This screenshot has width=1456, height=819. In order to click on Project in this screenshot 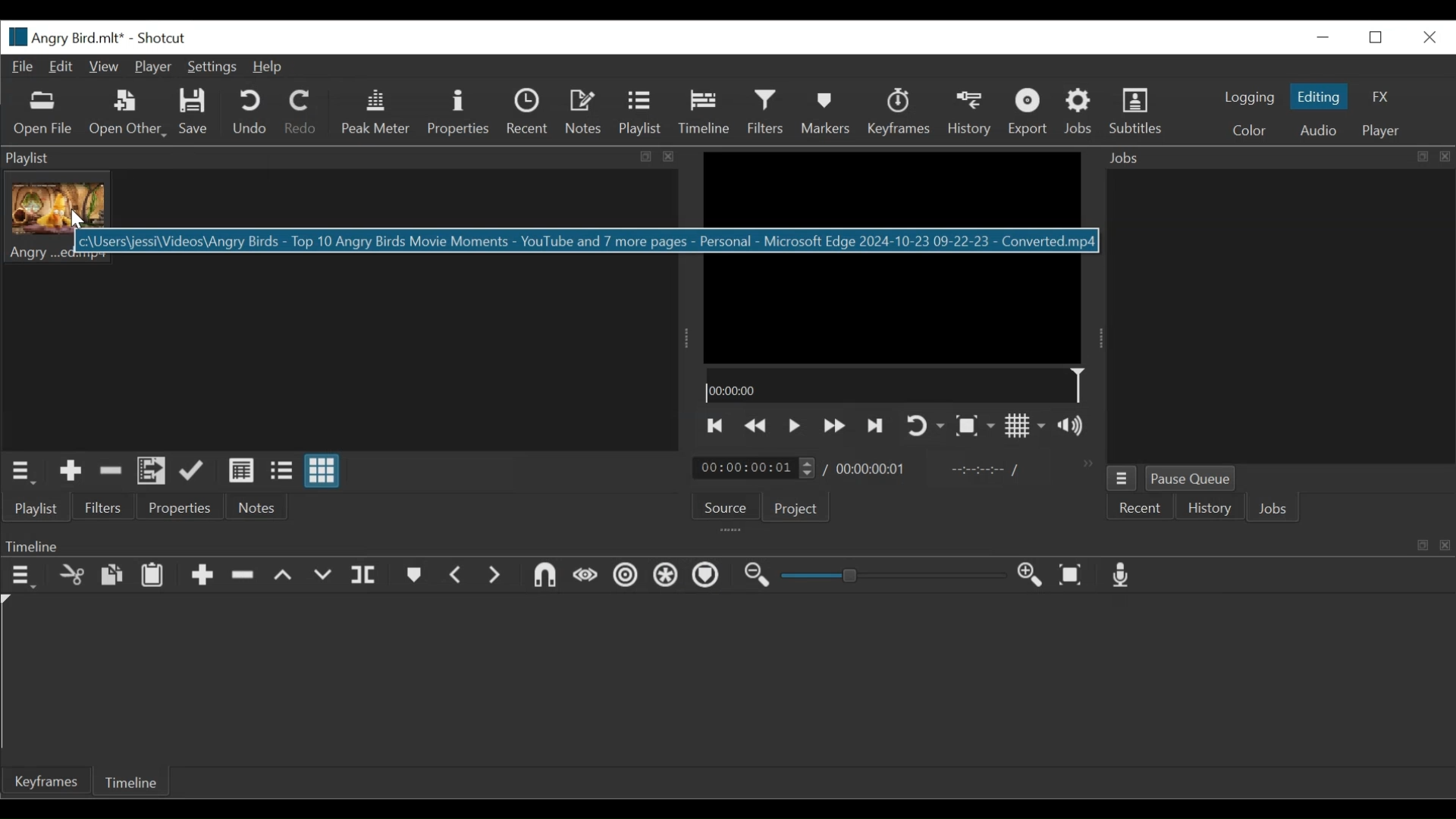, I will do `click(798, 509)`.